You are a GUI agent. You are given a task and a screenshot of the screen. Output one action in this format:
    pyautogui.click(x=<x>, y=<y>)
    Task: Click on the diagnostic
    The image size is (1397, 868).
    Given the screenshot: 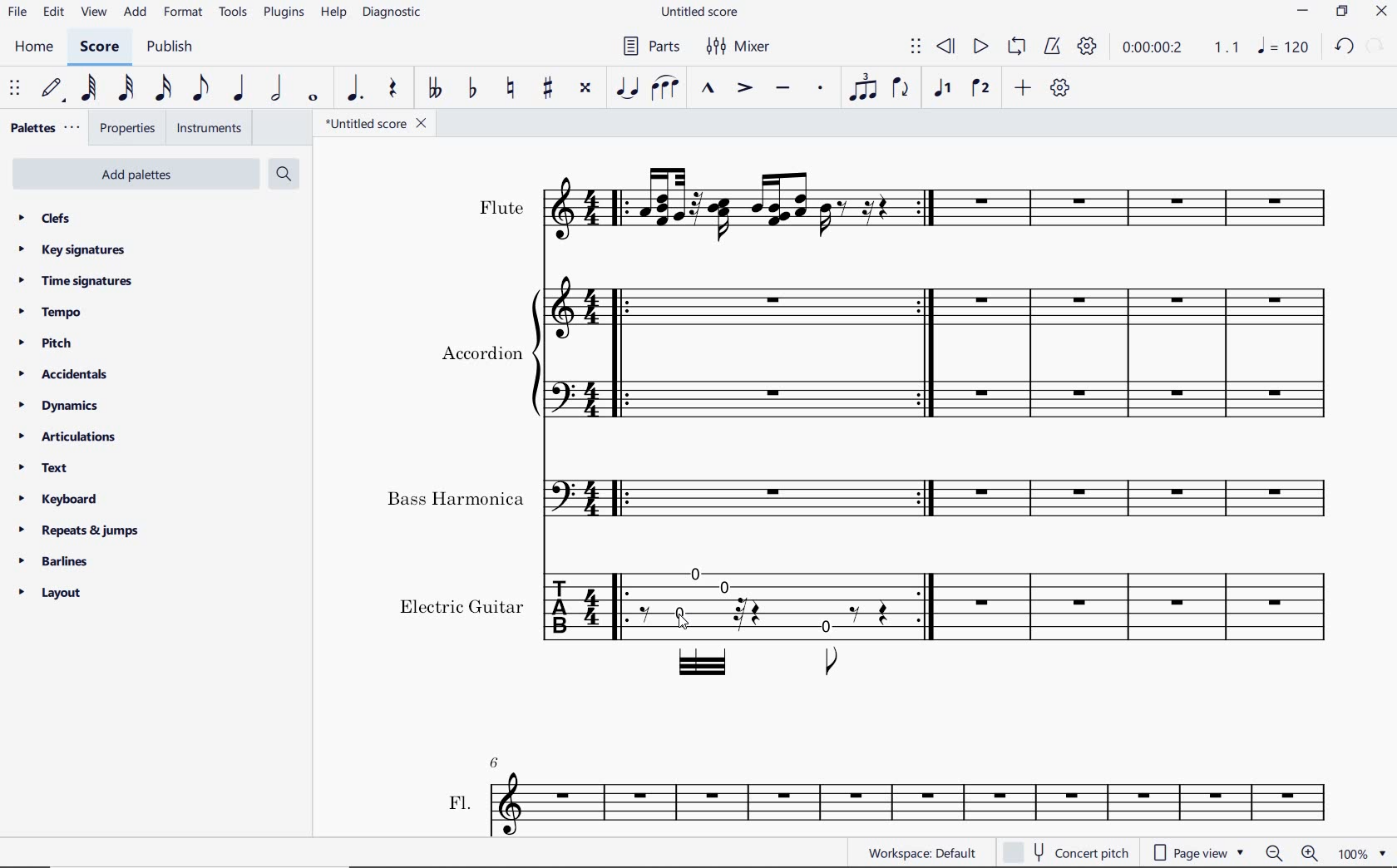 What is the action you would take?
    pyautogui.click(x=391, y=15)
    